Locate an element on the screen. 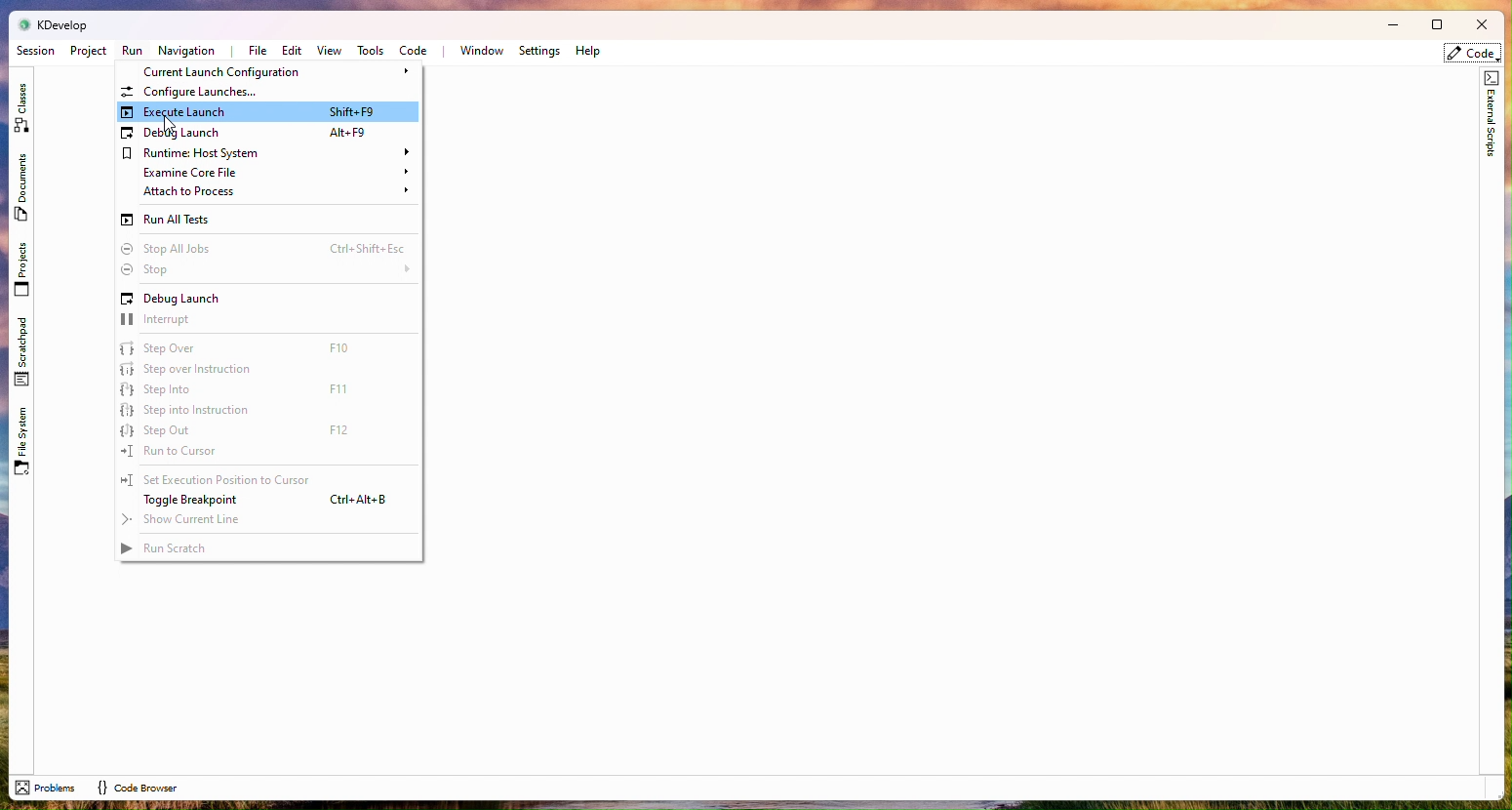  Projects is located at coordinates (21, 269).